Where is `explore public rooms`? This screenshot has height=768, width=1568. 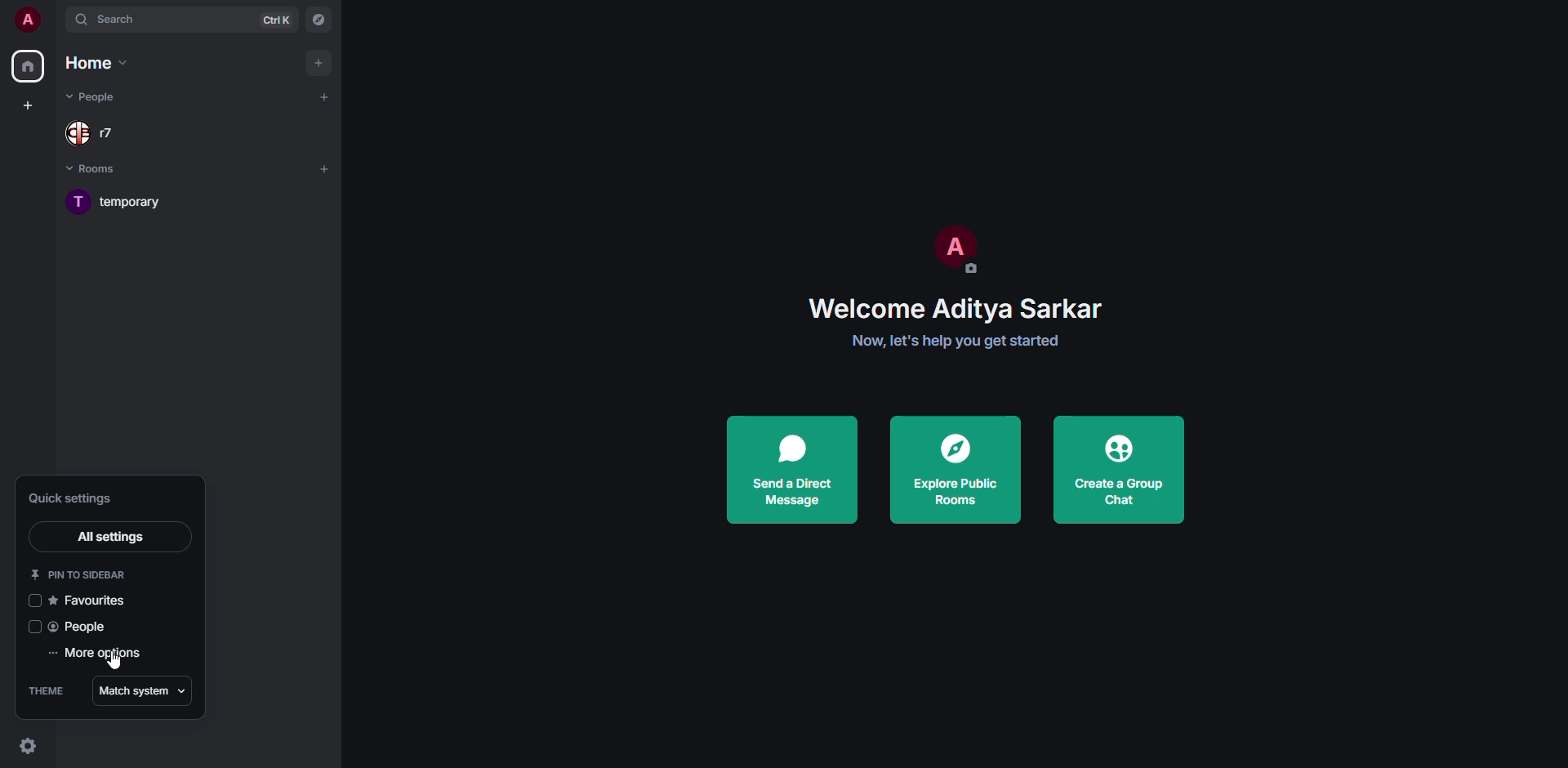
explore public rooms is located at coordinates (957, 470).